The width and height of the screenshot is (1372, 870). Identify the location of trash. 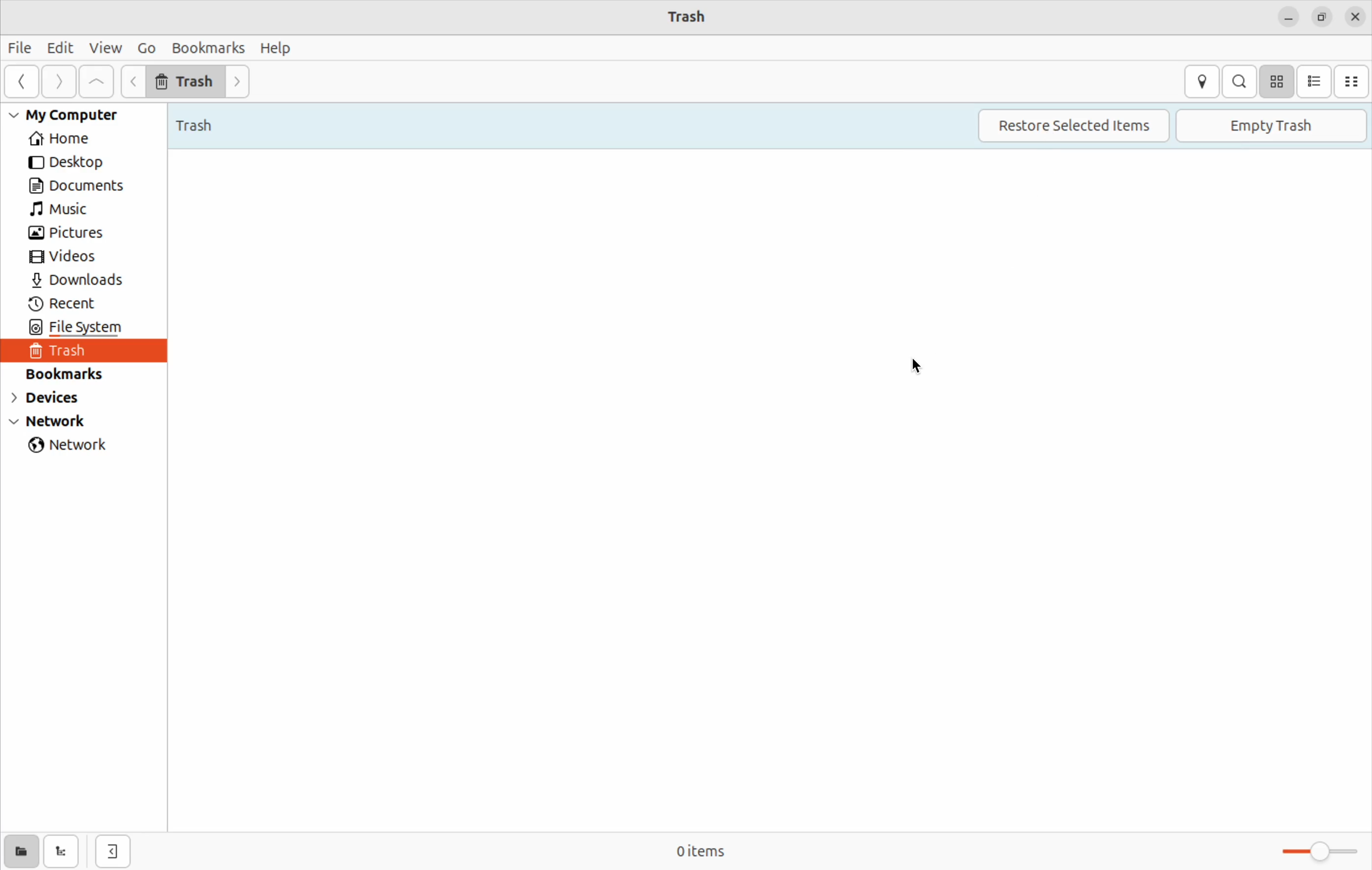
(206, 122).